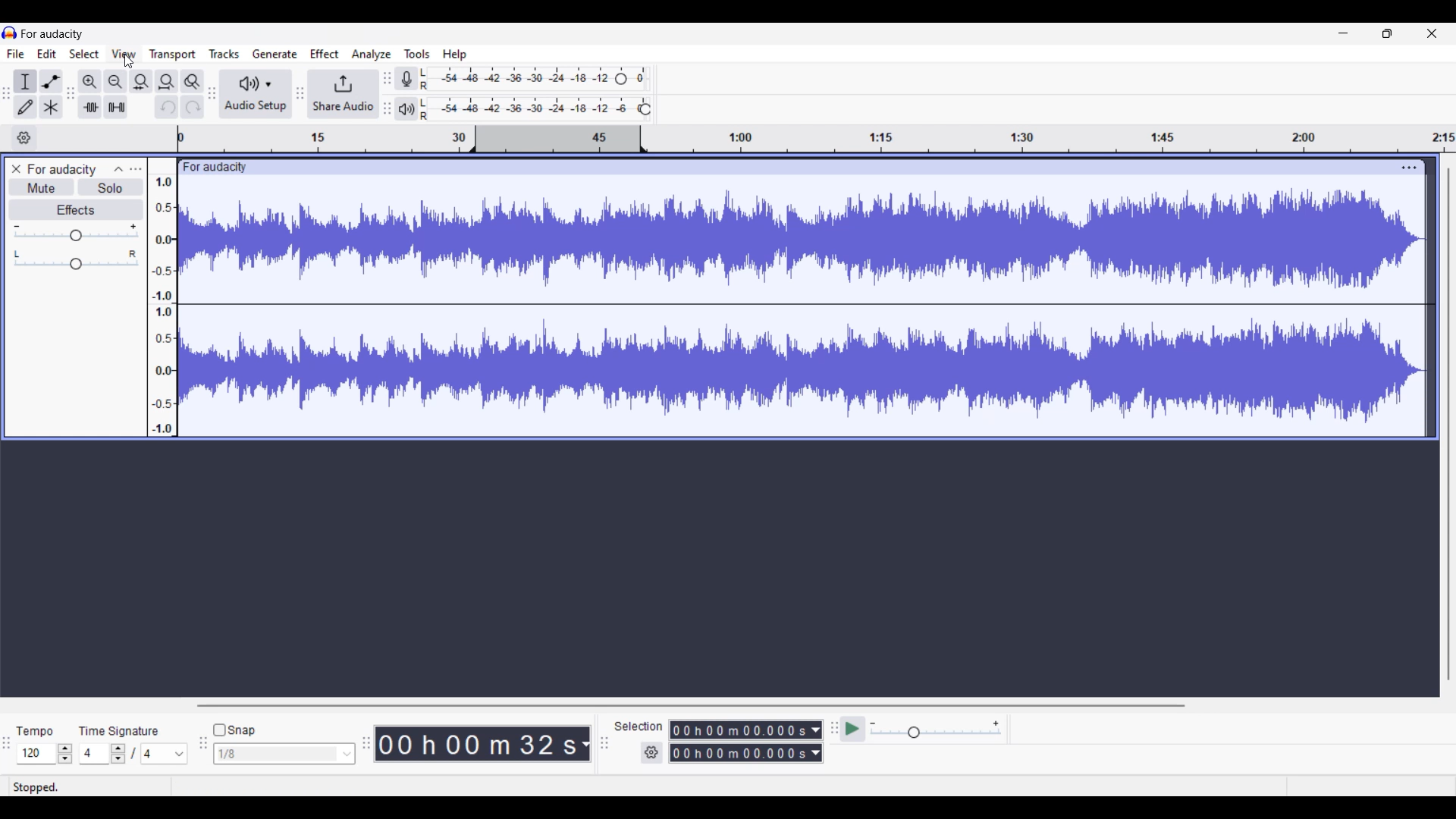 Image resolution: width=1456 pixels, height=819 pixels. What do you see at coordinates (167, 107) in the screenshot?
I see `Undo` at bounding box center [167, 107].